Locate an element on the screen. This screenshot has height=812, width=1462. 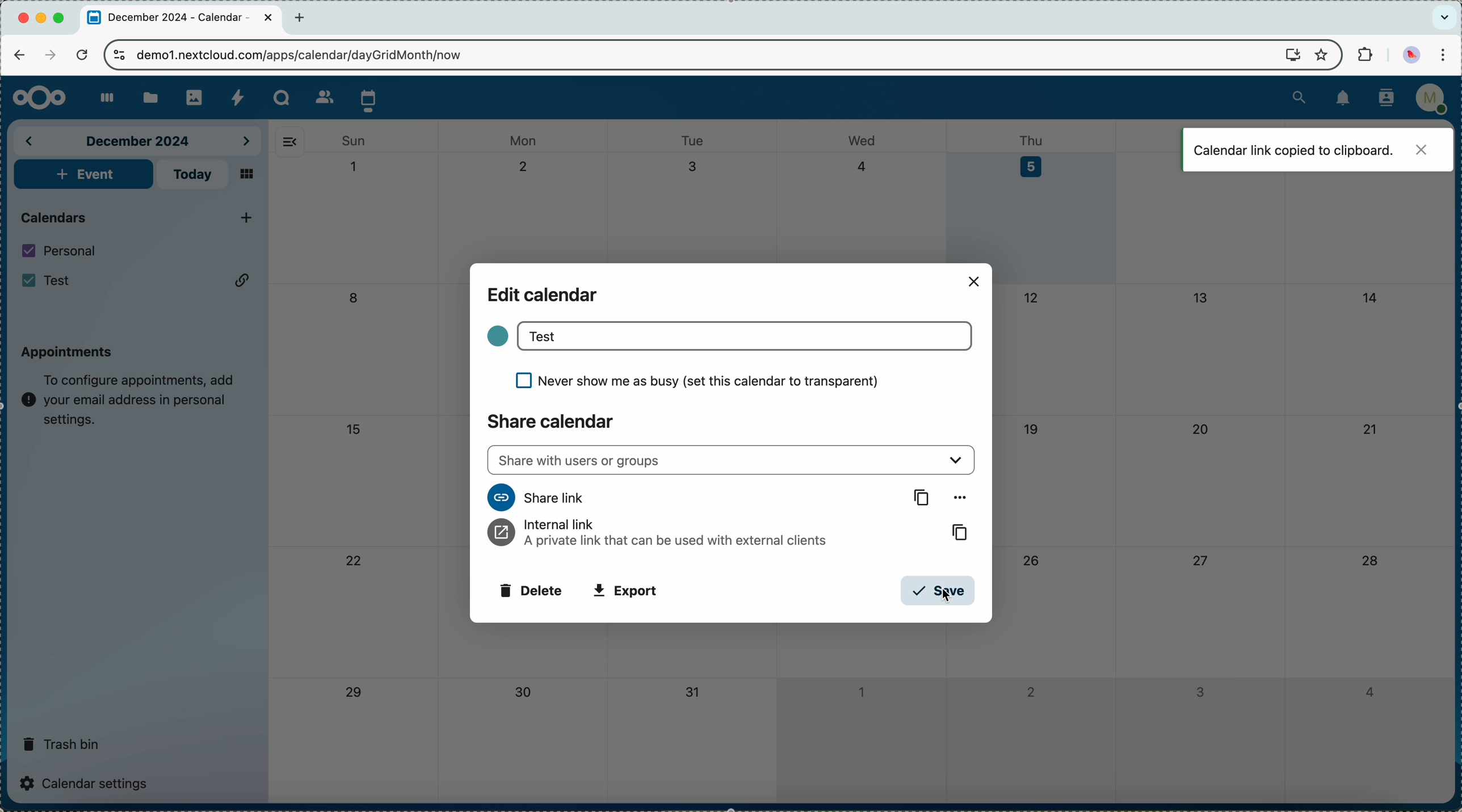
26 is located at coordinates (1032, 559).